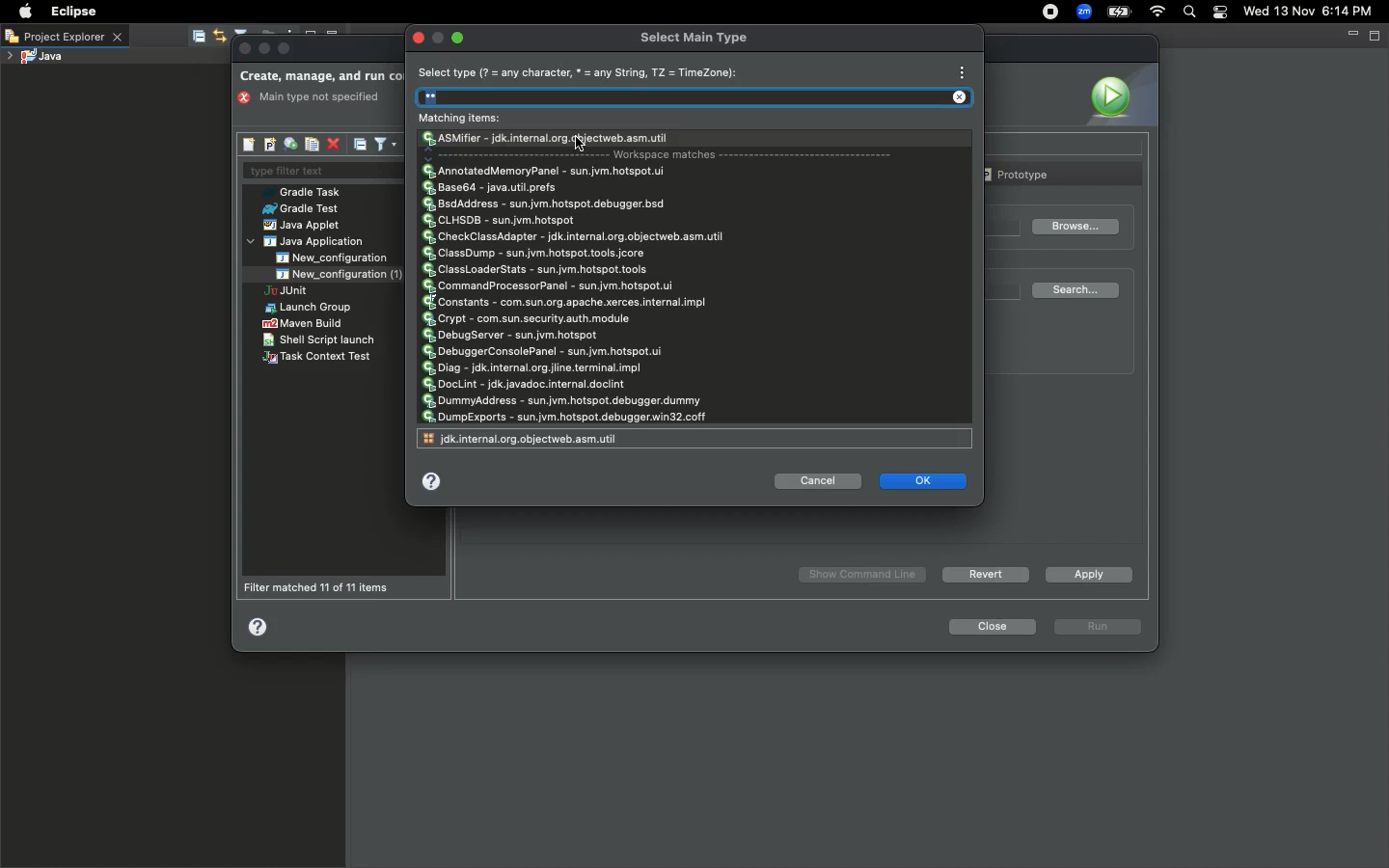  What do you see at coordinates (578, 238) in the screenshot?
I see `CheckClassAdapter - jdk.internal.org.objectweb.asm.util` at bounding box center [578, 238].